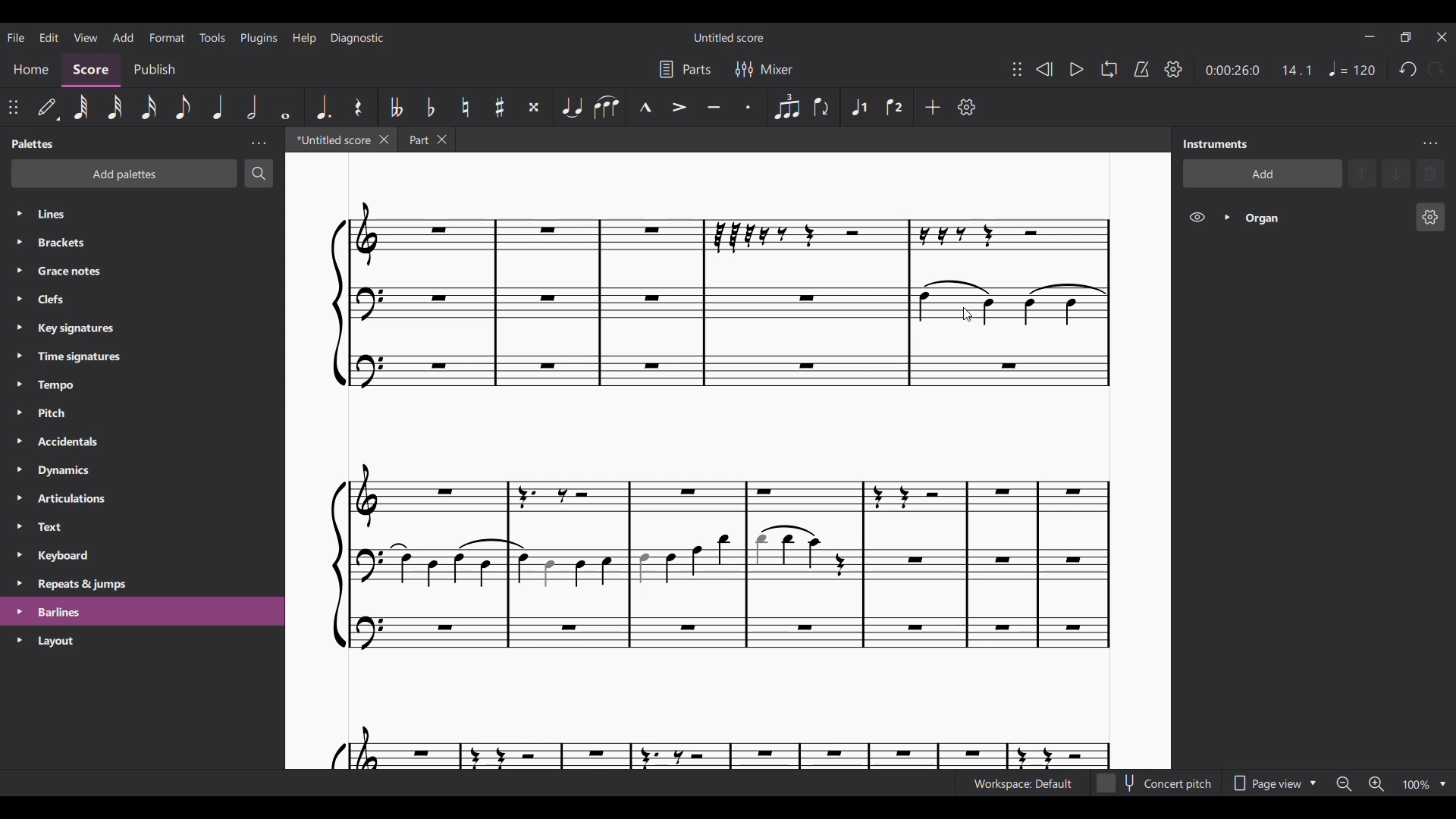 The height and width of the screenshot is (819, 1456). I want to click on Help menu, so click(304, 38).